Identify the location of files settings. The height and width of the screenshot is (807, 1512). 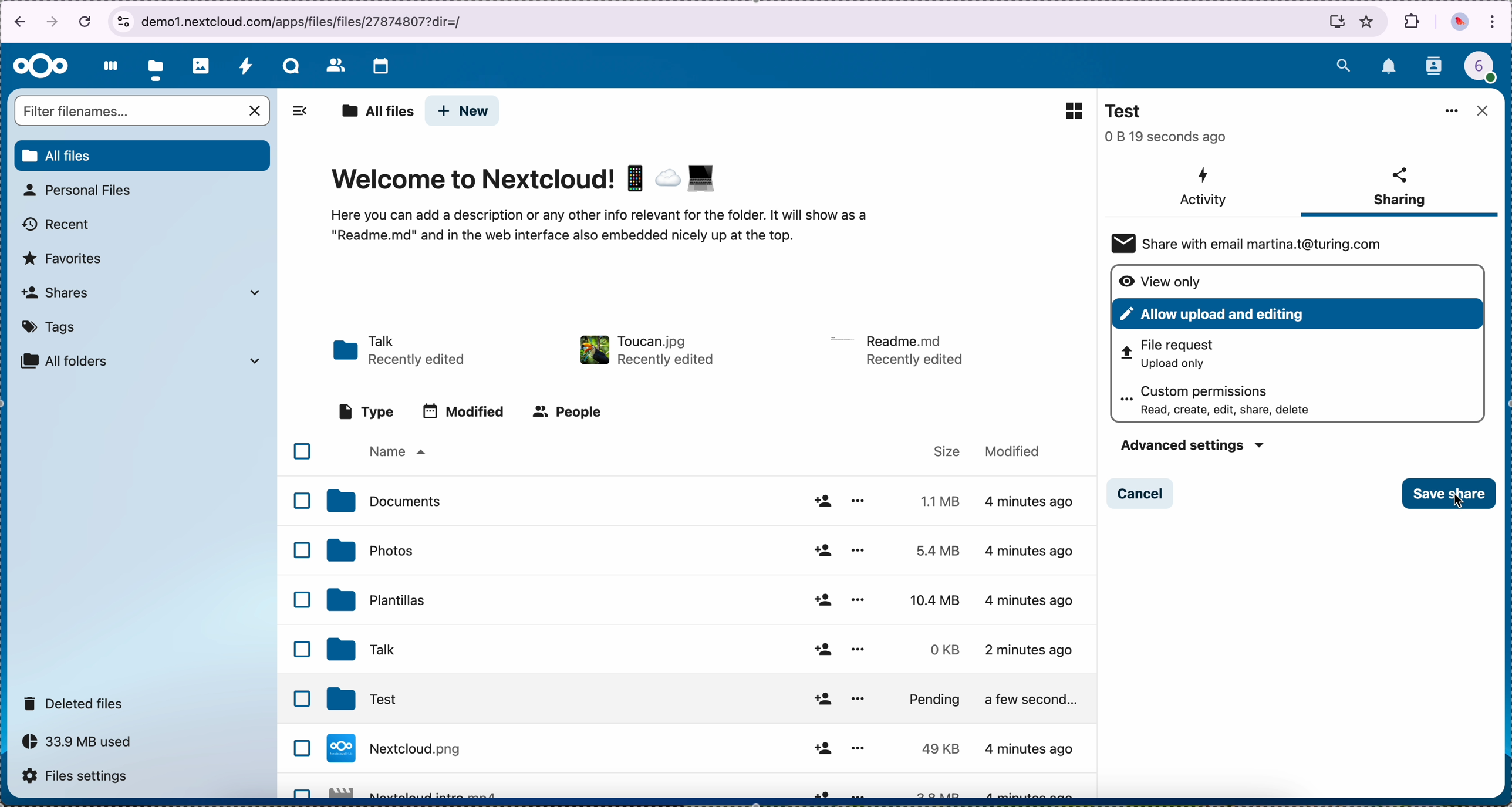
(79, 779).